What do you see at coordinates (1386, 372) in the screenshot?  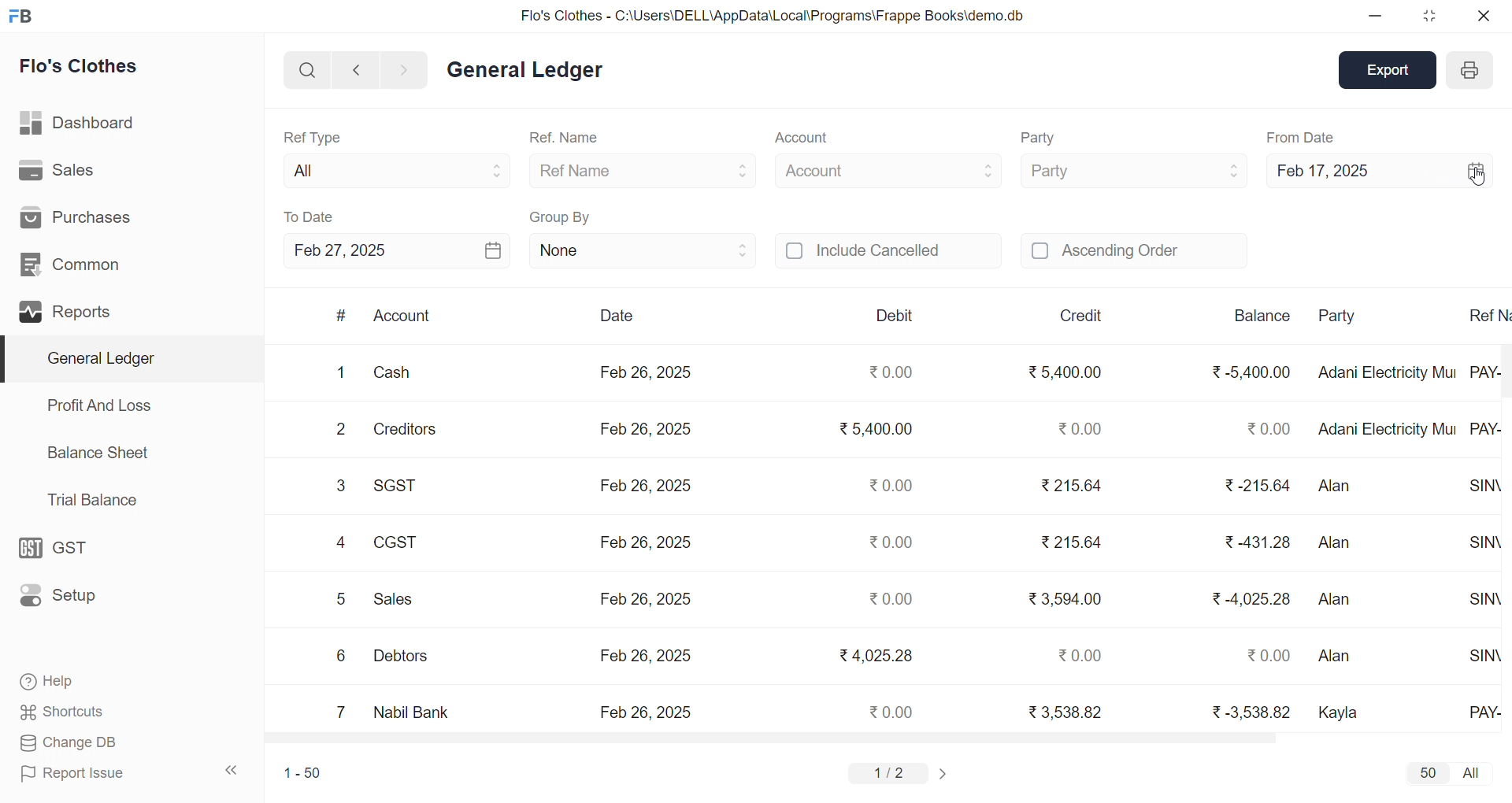 I see `Adani Electricity Mui..` at bounding box center [1386, 372].